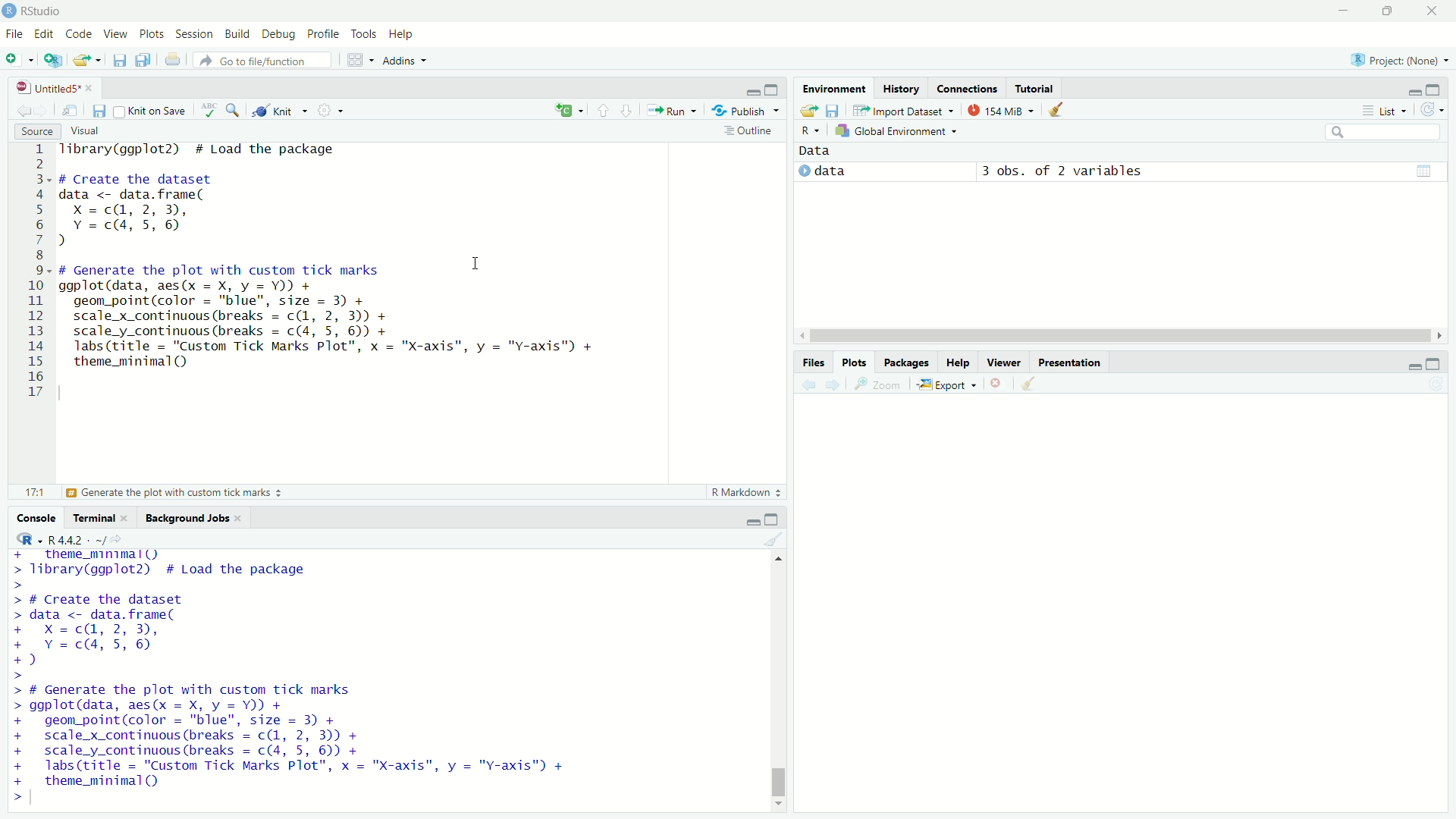 This screenshot has width=1456, height=819. Describe the element at coordinates (1410, 366) in the screenshot. I see `minimize` at that location.